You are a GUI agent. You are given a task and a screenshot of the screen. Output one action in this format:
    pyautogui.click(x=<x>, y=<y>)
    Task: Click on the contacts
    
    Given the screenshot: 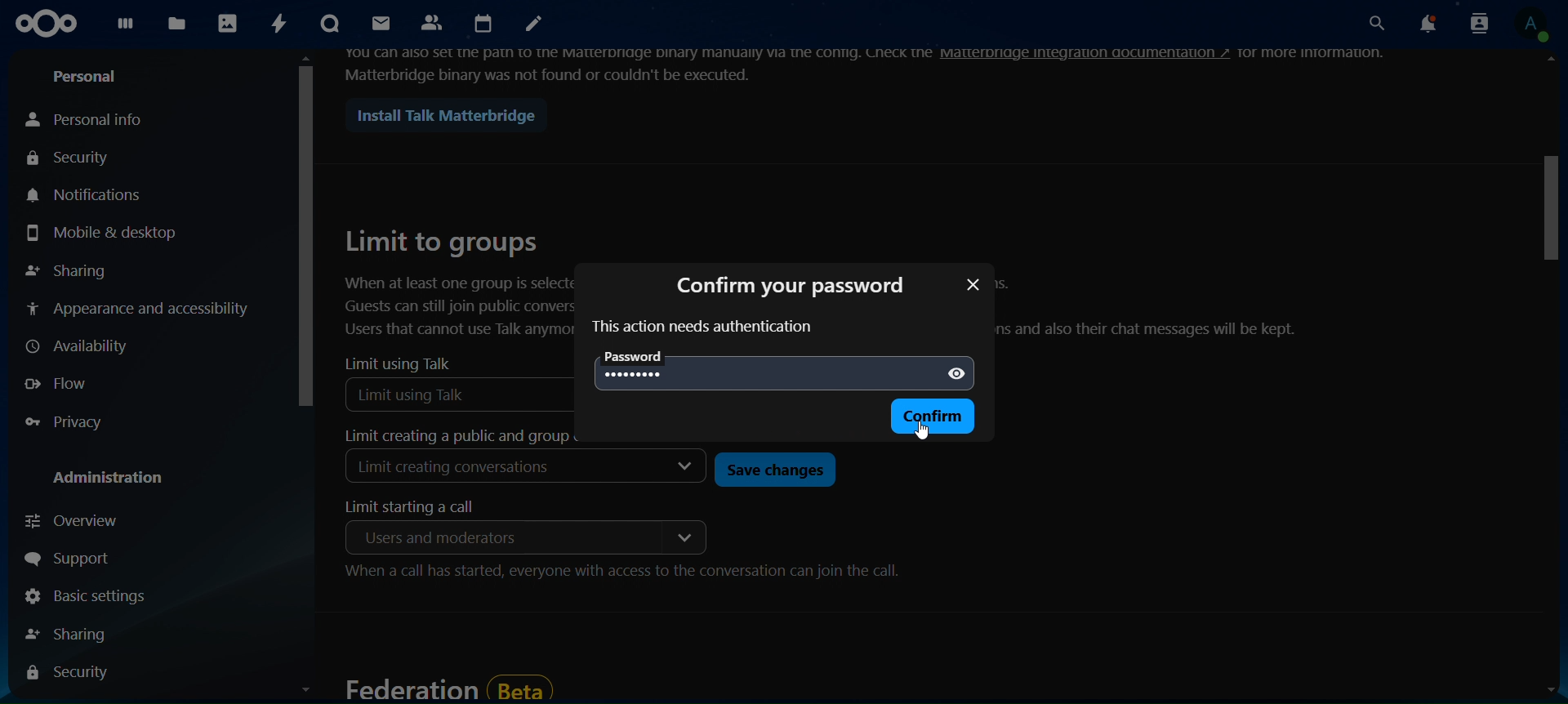 What is the action you would take?
    pyautogui.click(x=433, y=21)
    